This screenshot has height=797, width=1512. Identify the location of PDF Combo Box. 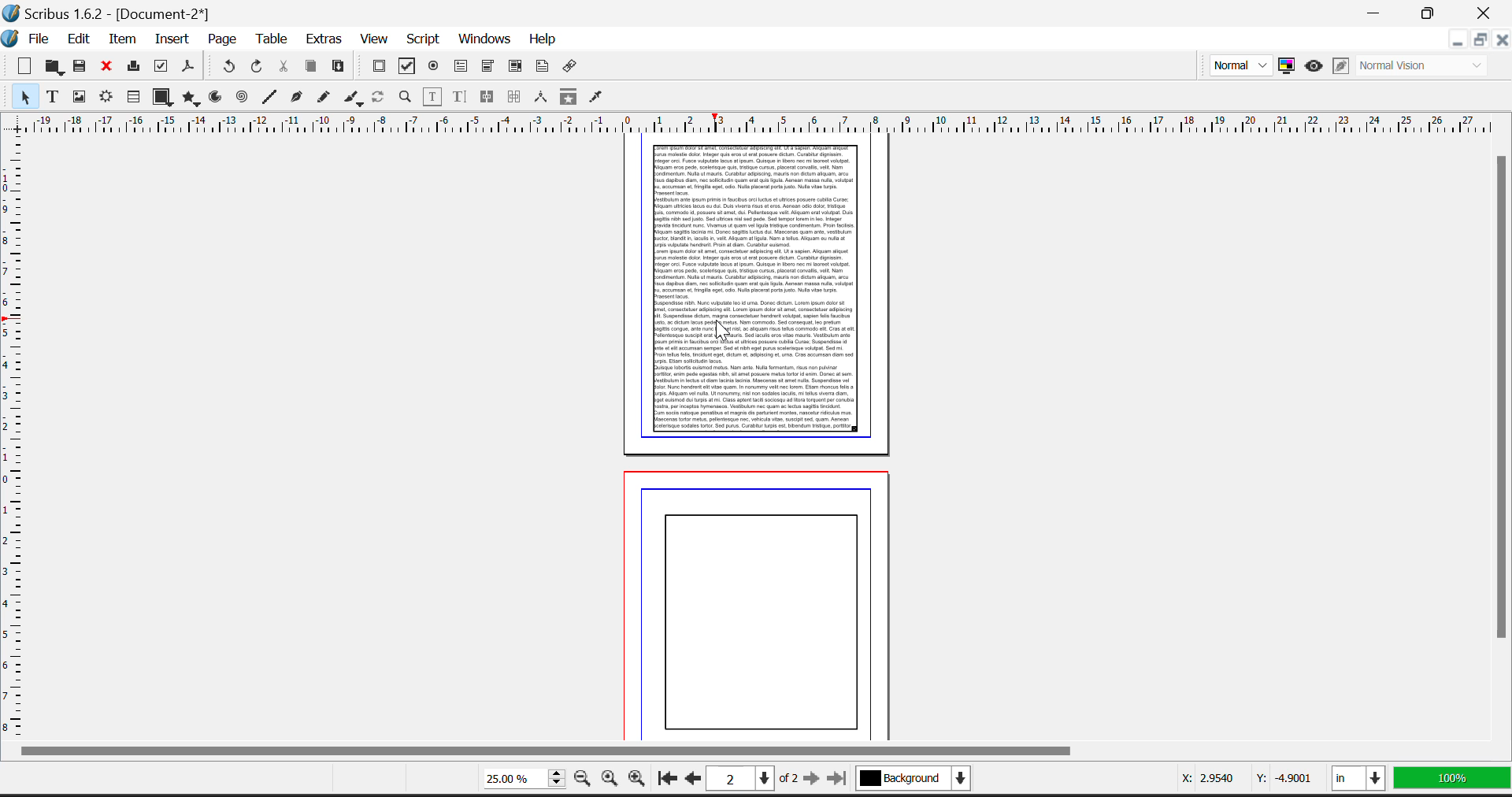
(487, 67).